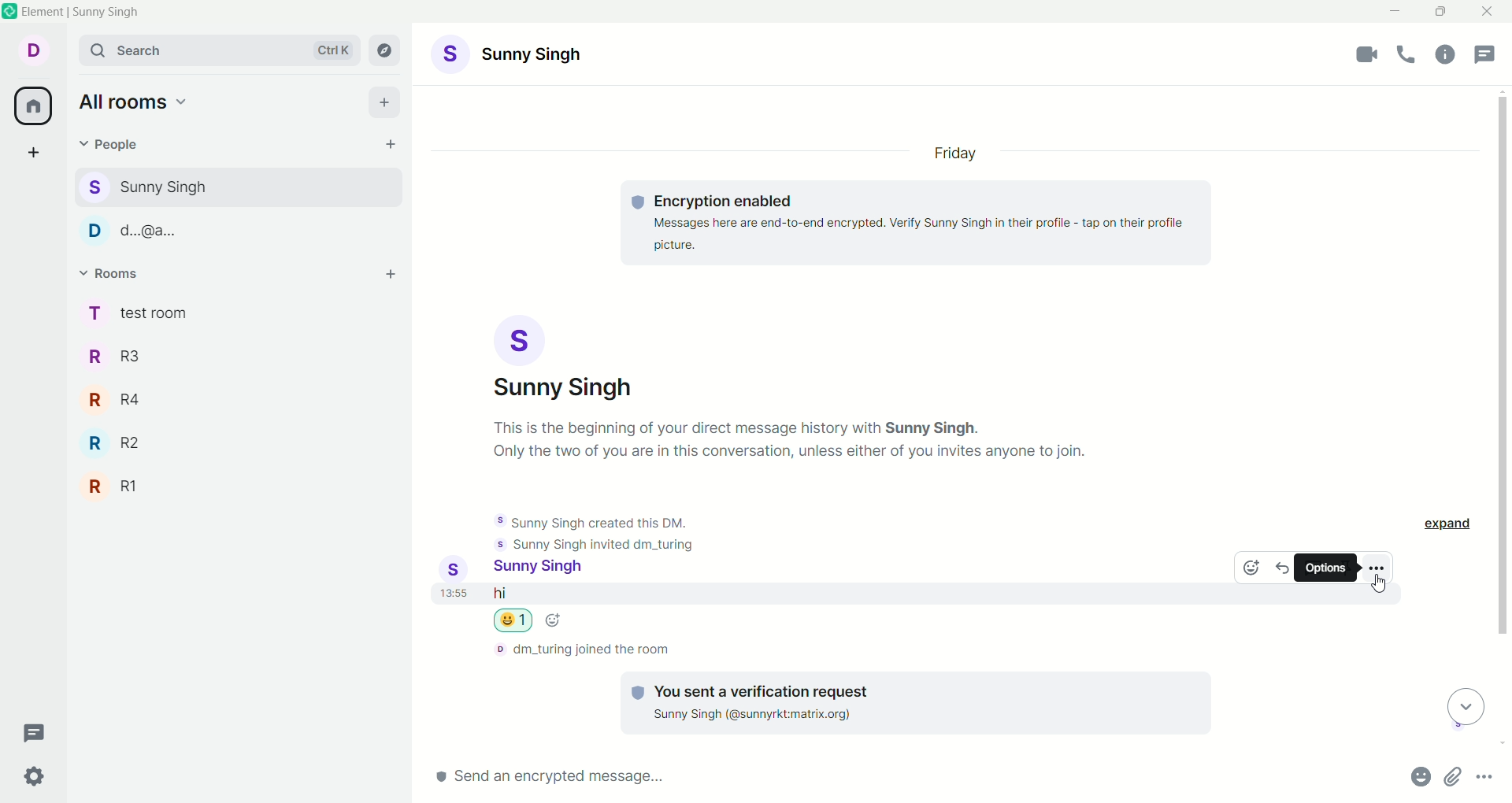  Describe the element at coordinates (1487, 777) in the screenshot. I see `options` at that location.